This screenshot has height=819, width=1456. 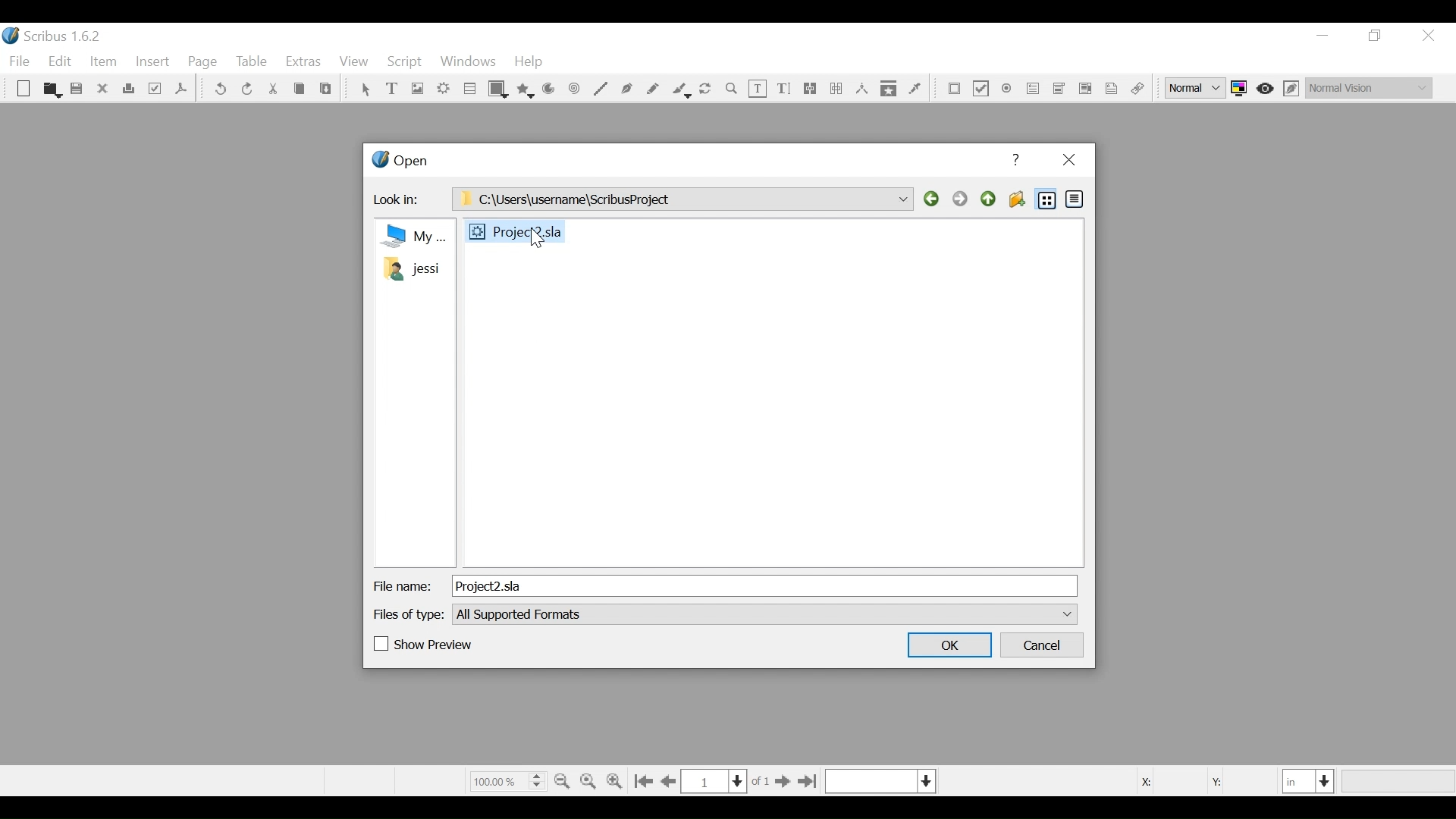 What do you see at coordinates (411, 268) in the screenshot?
I see `Folder` at bounding box center [411, 268].